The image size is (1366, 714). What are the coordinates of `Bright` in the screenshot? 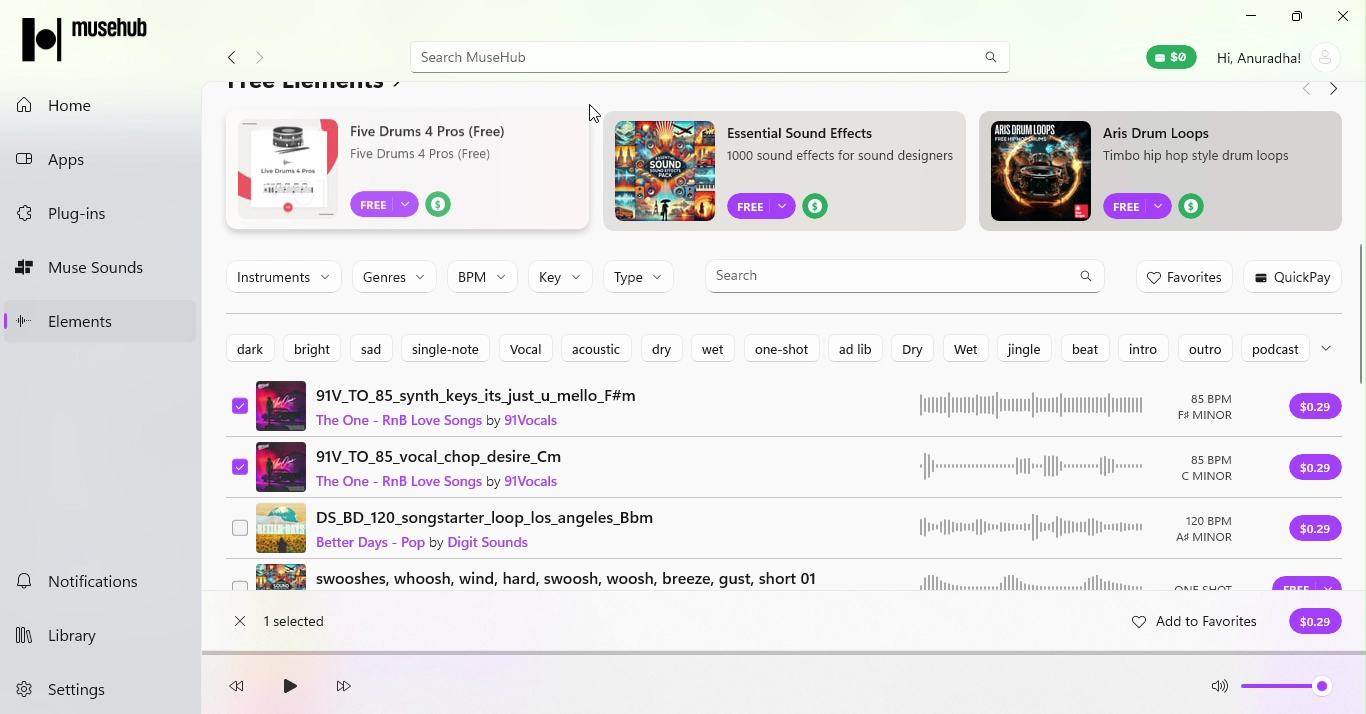 It's located at (306, 346).